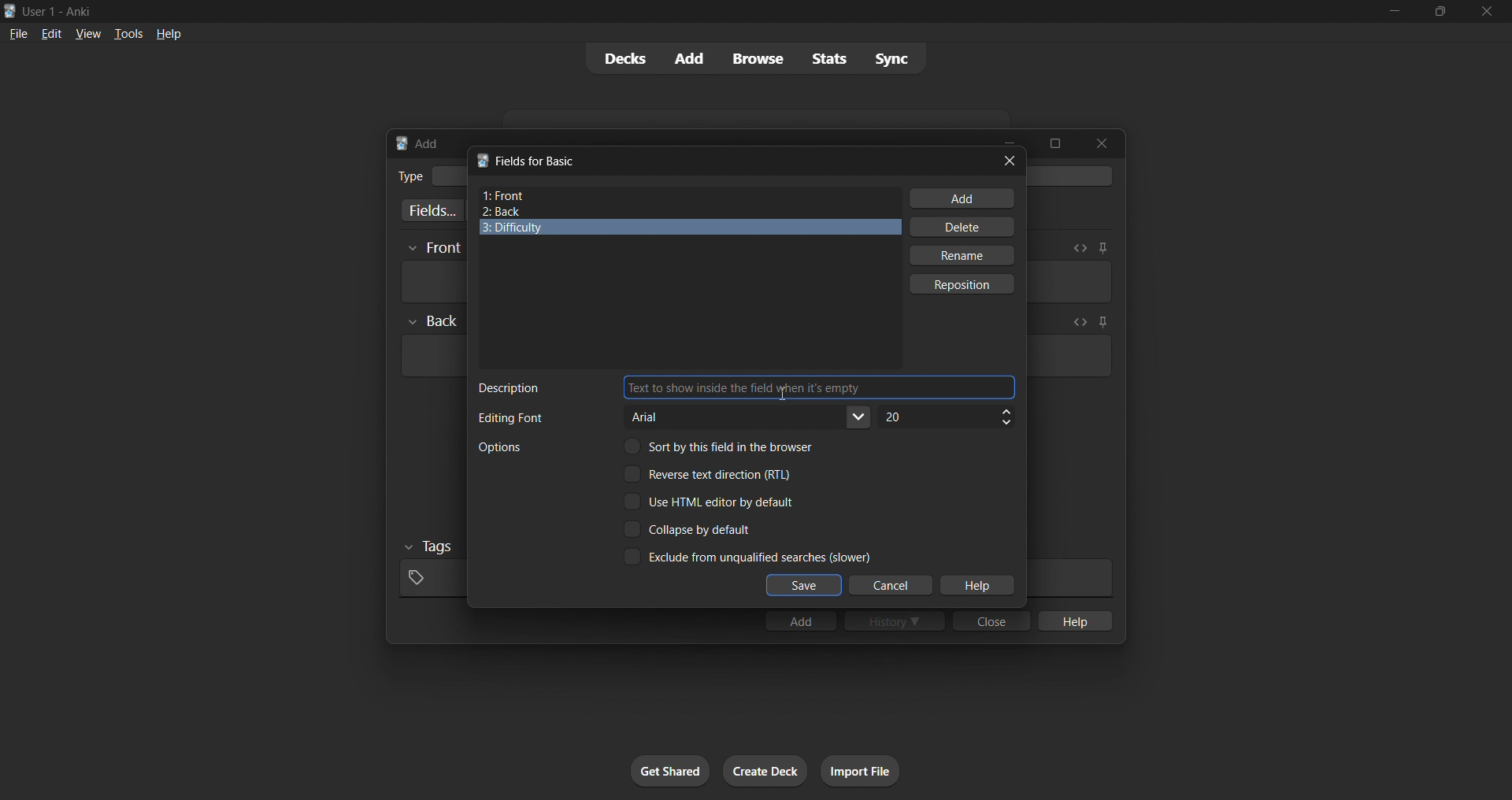 Image resolution: width=1512 pixels, height=800 pixels. I want to click on edit, so click(52, 33).